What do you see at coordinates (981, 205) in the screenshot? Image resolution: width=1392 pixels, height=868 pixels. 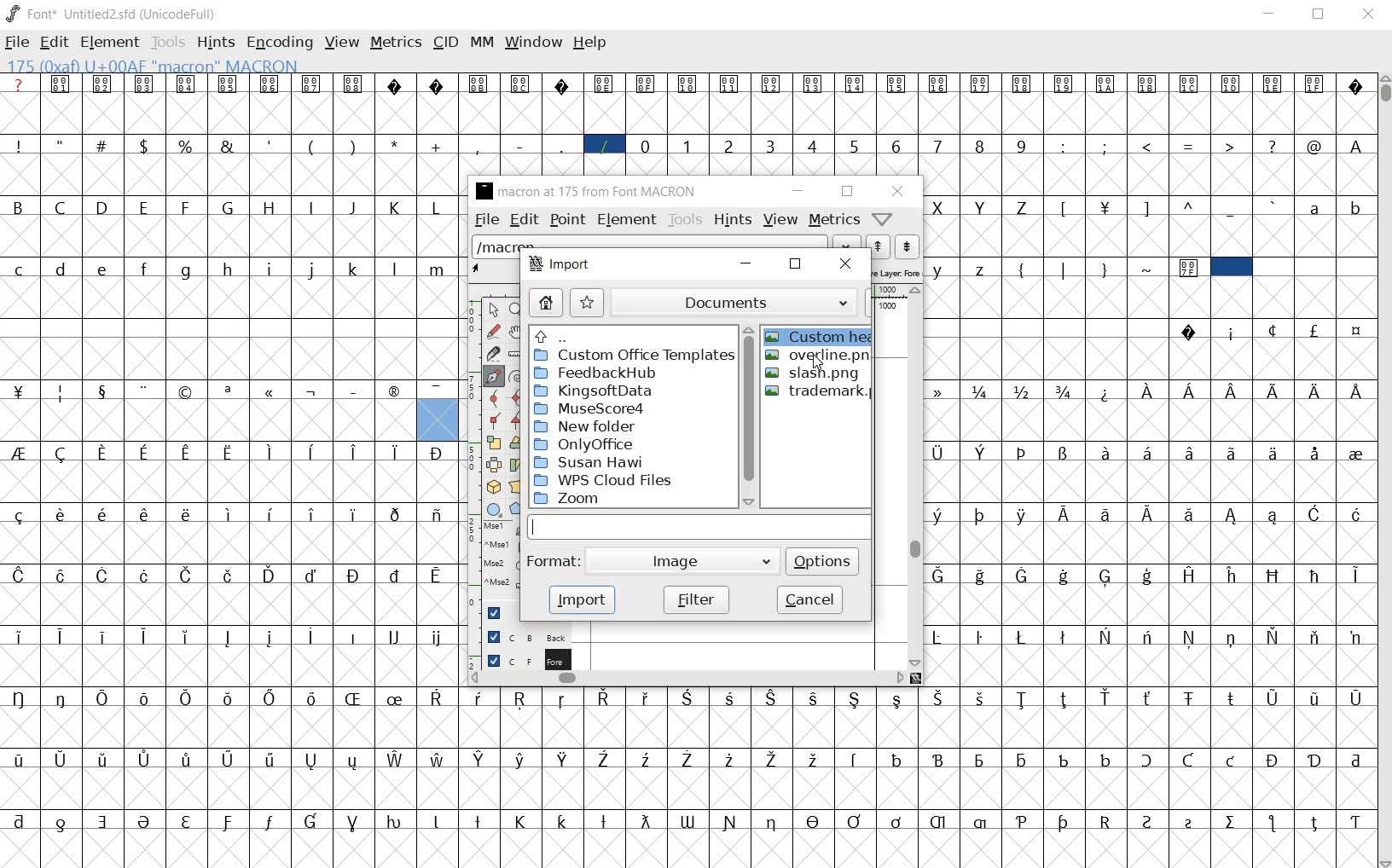 I see `Y` at bounding box center [981, 205].